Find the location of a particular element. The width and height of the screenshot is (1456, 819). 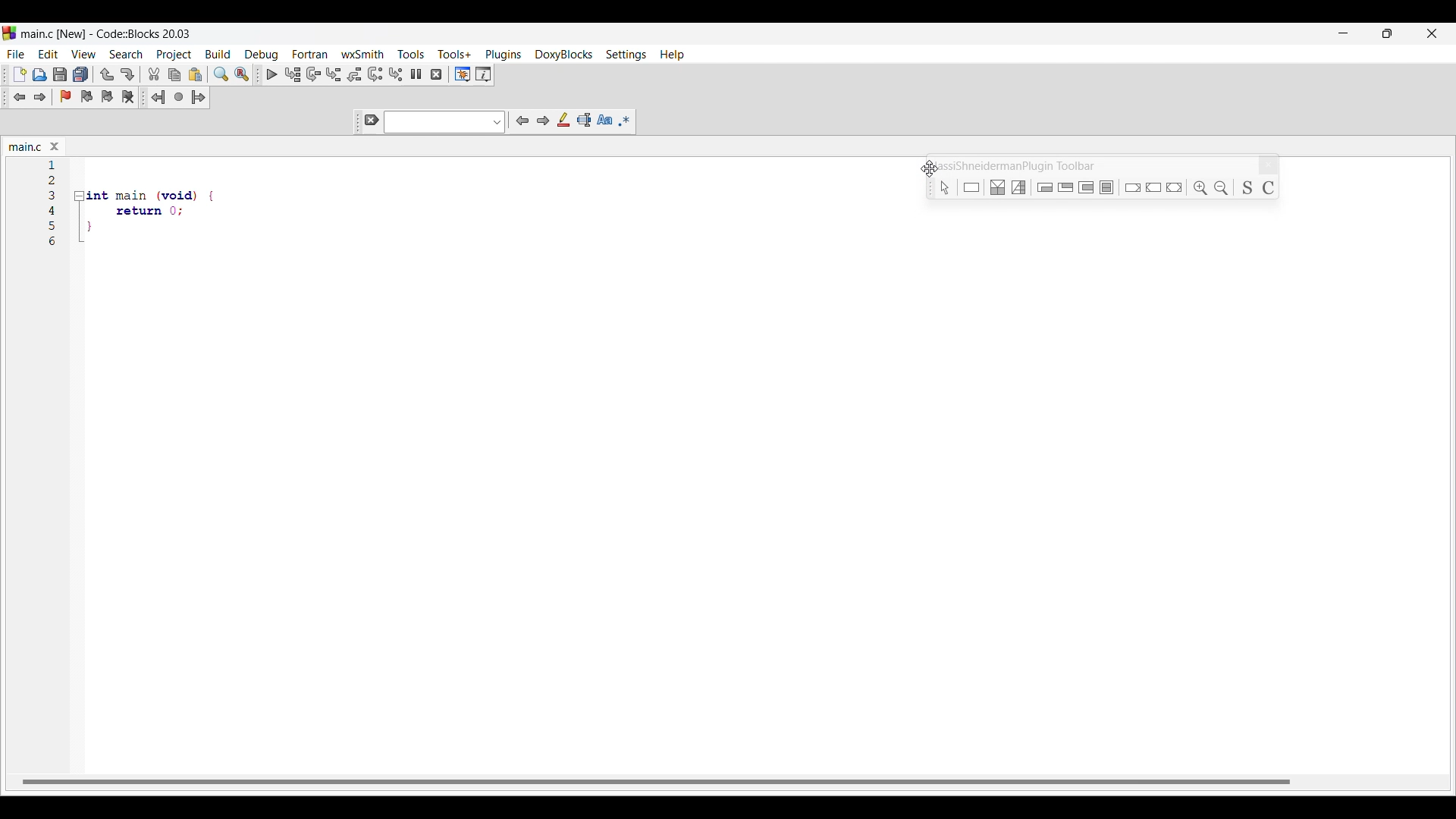

Save is located at coordinates (61, 74).